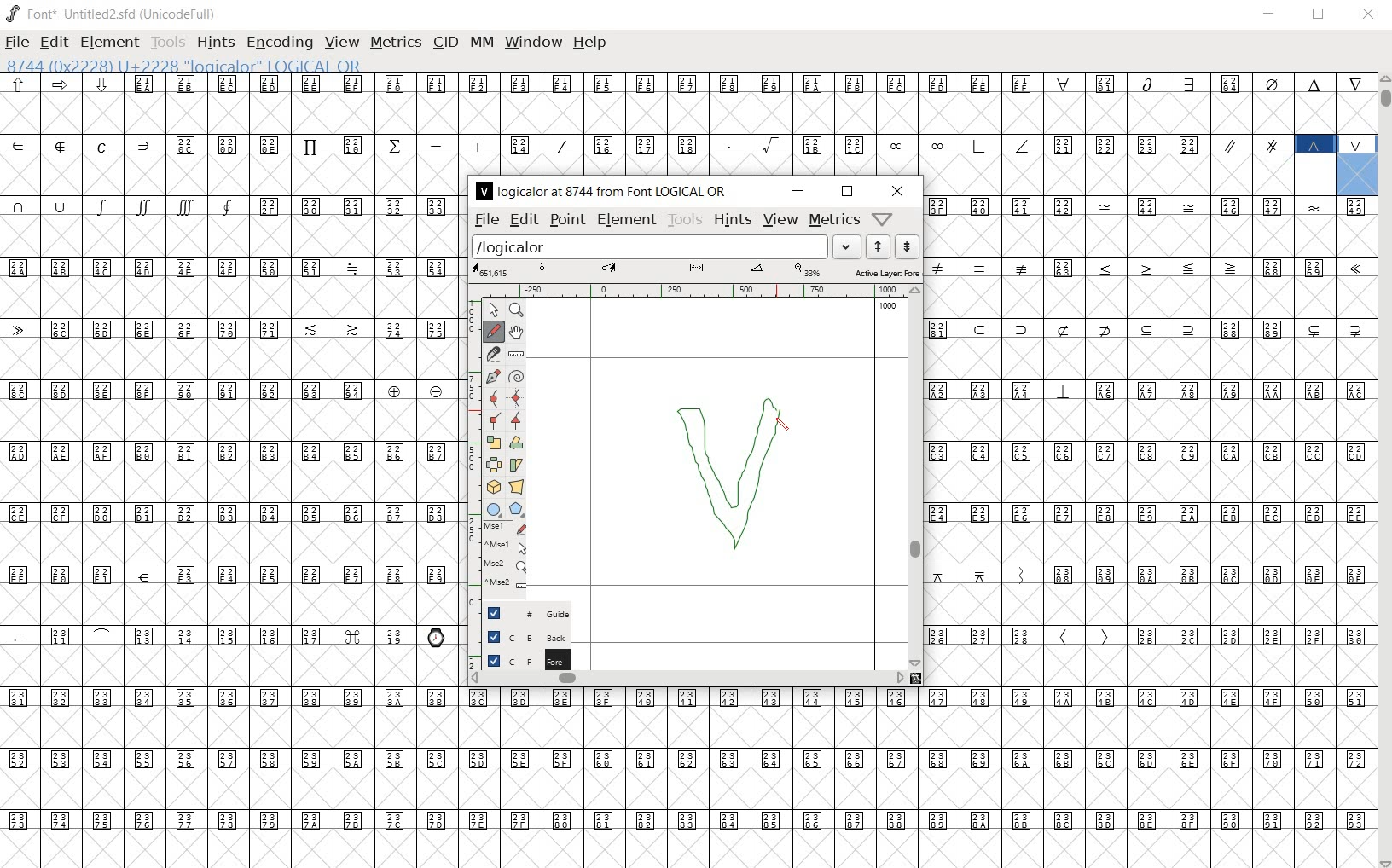 Image resolution: width=1392 pixels, height=868 pixels. Describe the element at coordinates (518, 635) in the screenshot. I see `background layer` at that location.